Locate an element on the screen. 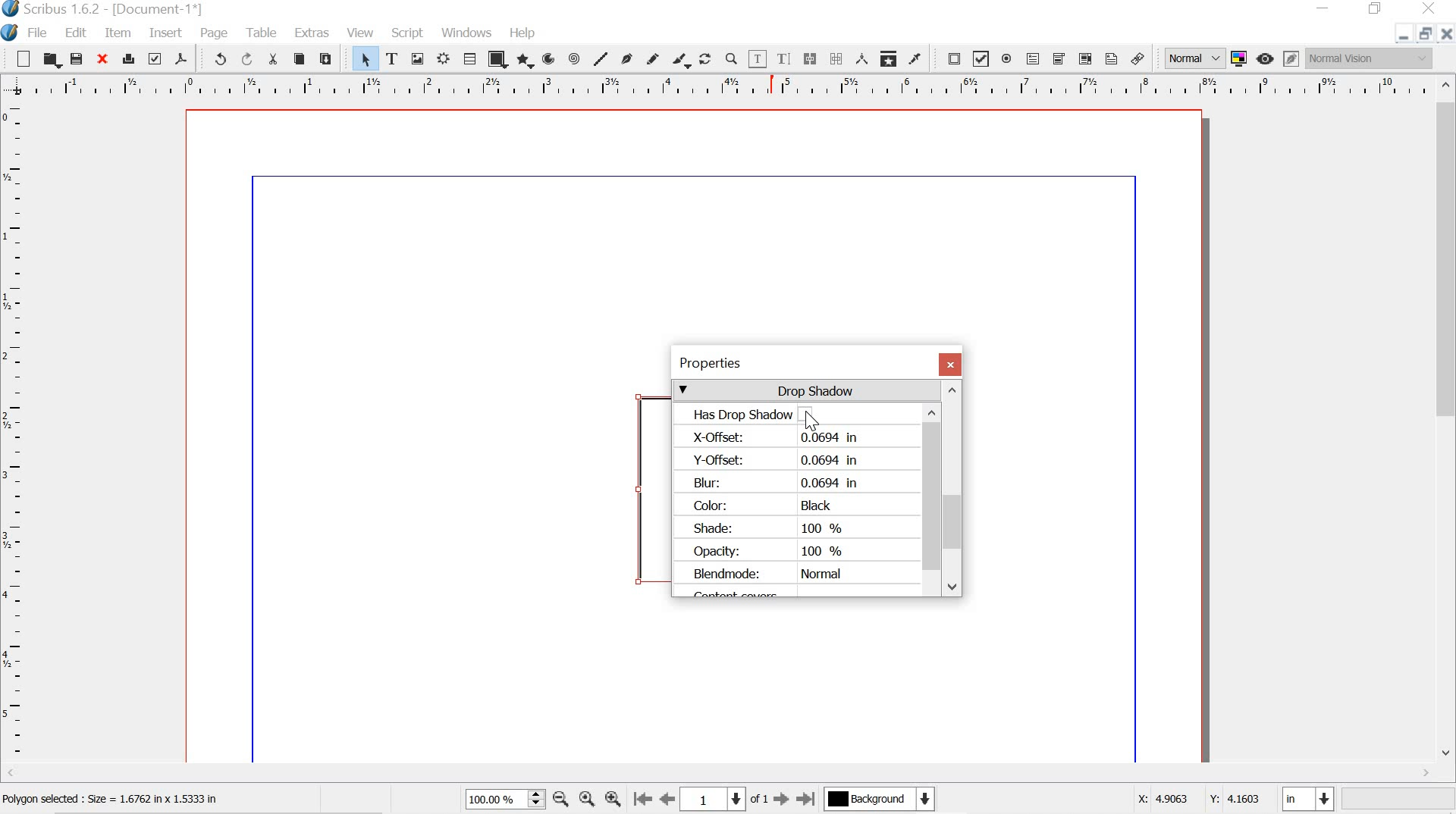 The height and width of the screenshot is (814, 1456). RESTORE DOWN is located at coordinates (1423, 36).